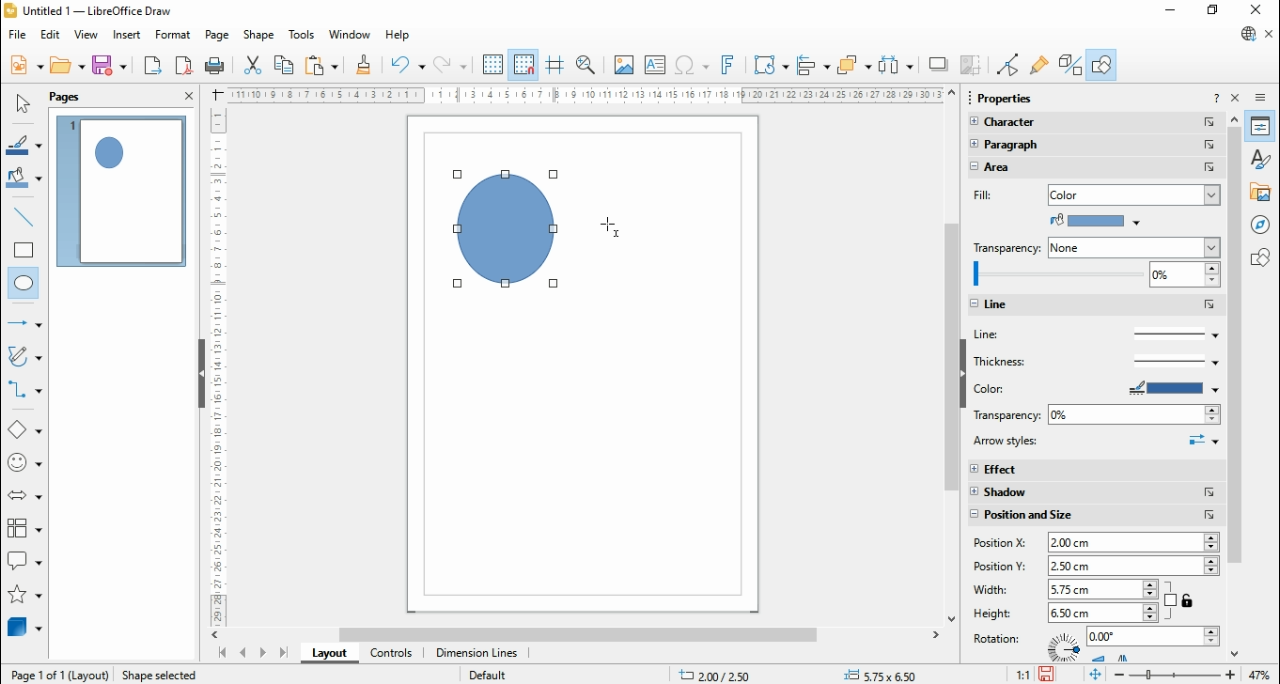 The image size is (1280, 684). Describe the element at coordinates (1096, 146) in the screenshot. I see `paragraph` at that location.